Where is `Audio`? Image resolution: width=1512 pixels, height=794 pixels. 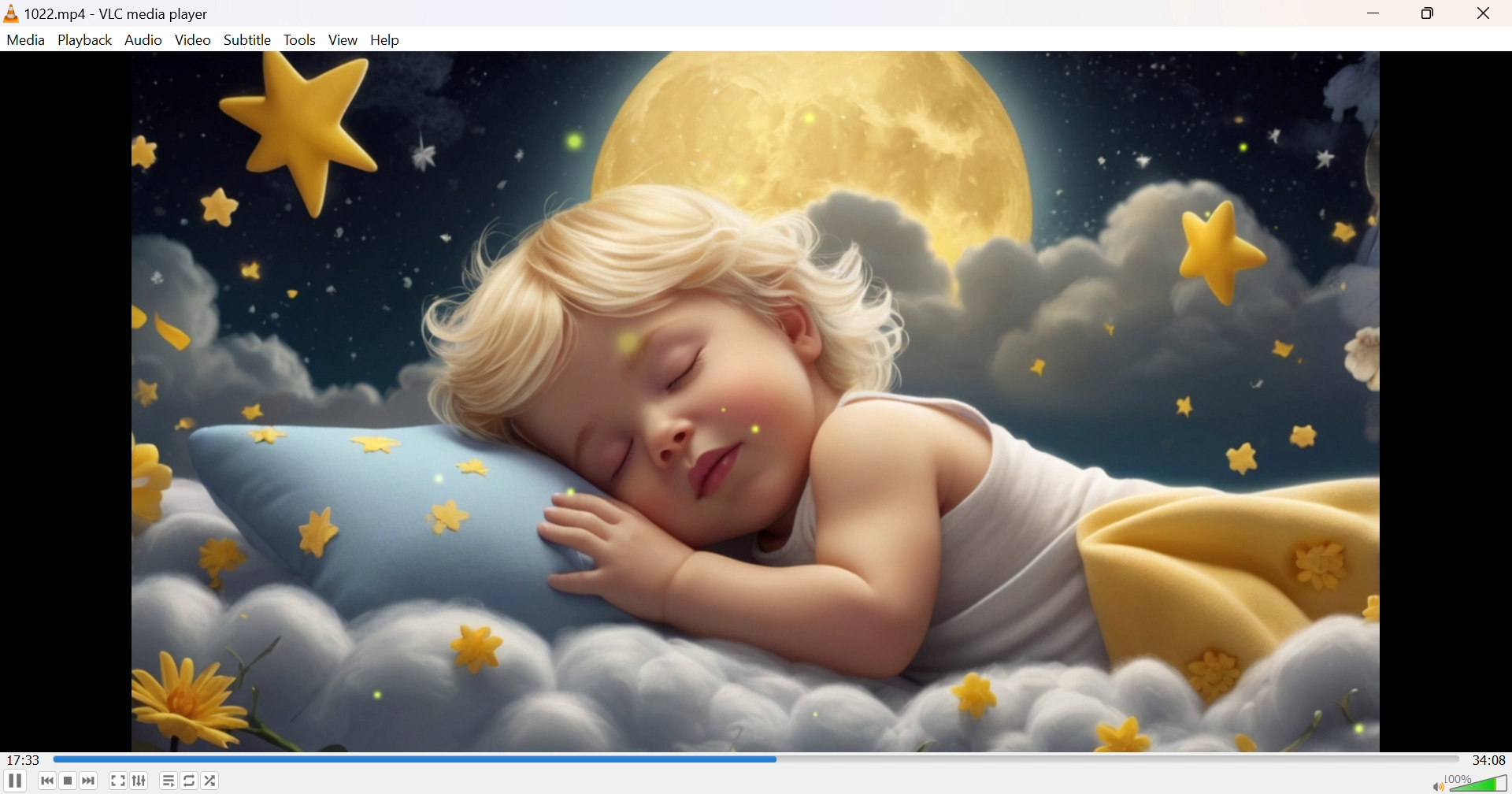 Audio is located at coordinates (145, 39).